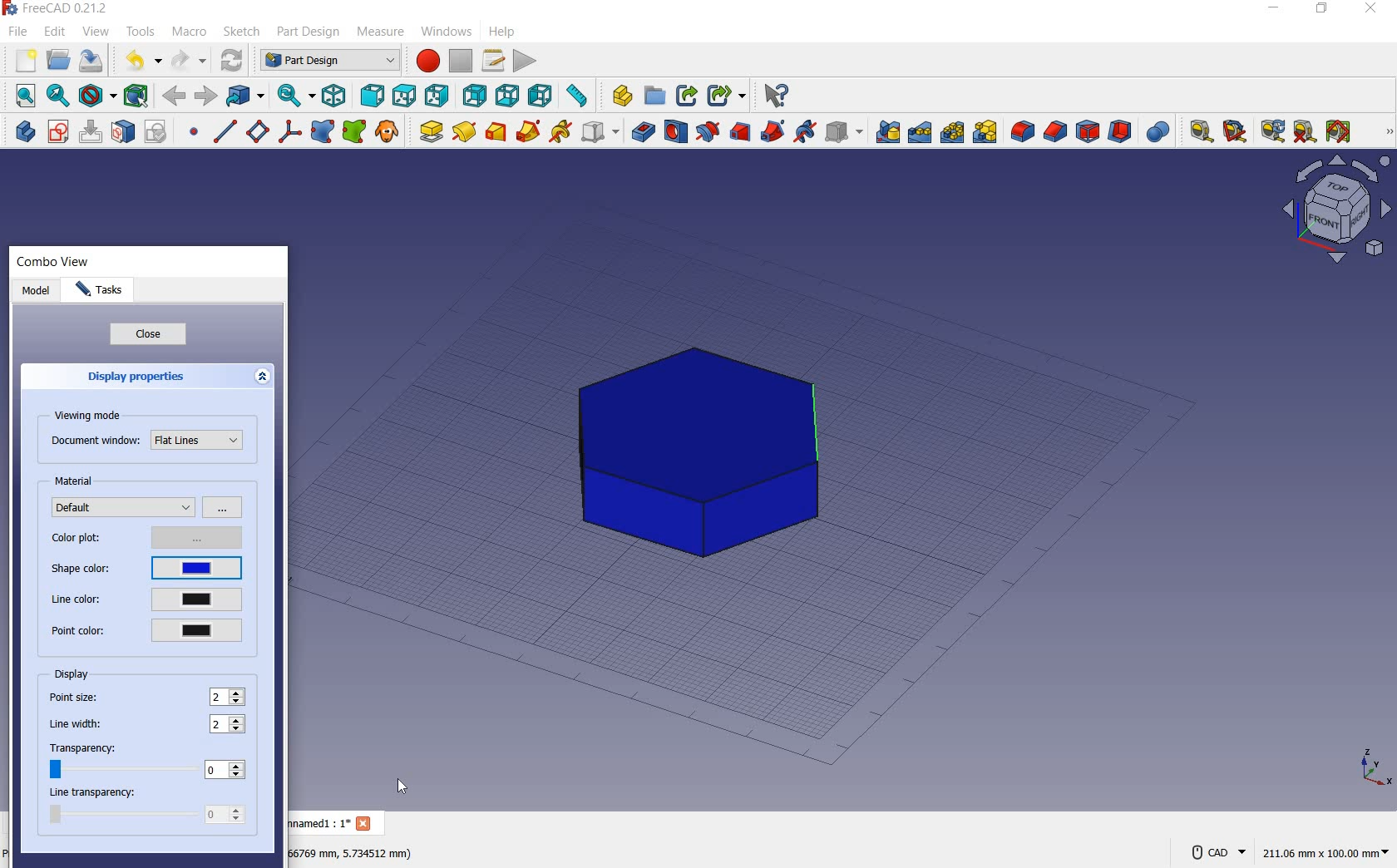  Describe the element at coordinates (844, 131) in the screenshot. I see `create a subtractive primitive` at that location.